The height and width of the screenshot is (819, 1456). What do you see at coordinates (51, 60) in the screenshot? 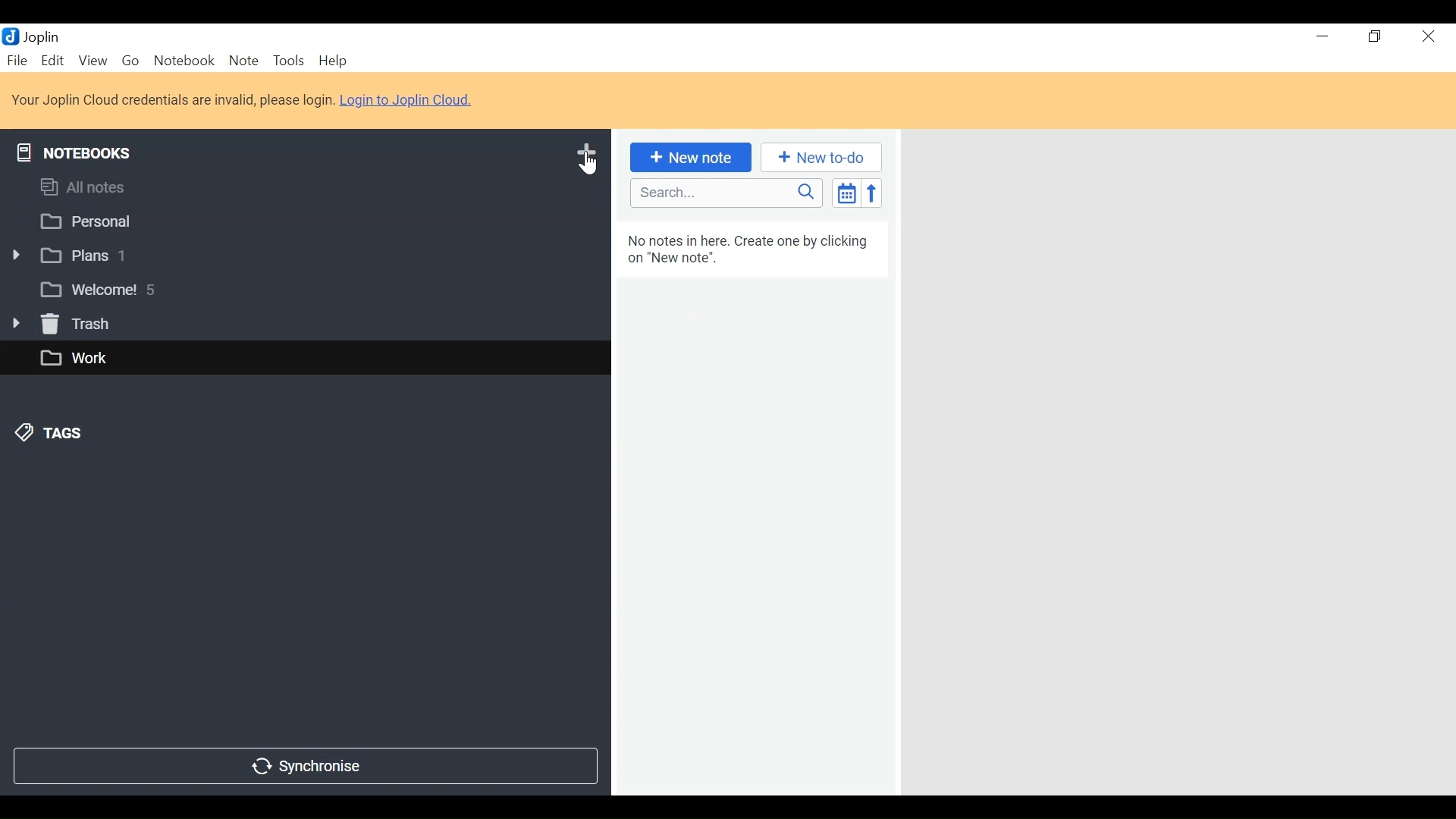
I see `Edit` at bounding box center [51, 60].